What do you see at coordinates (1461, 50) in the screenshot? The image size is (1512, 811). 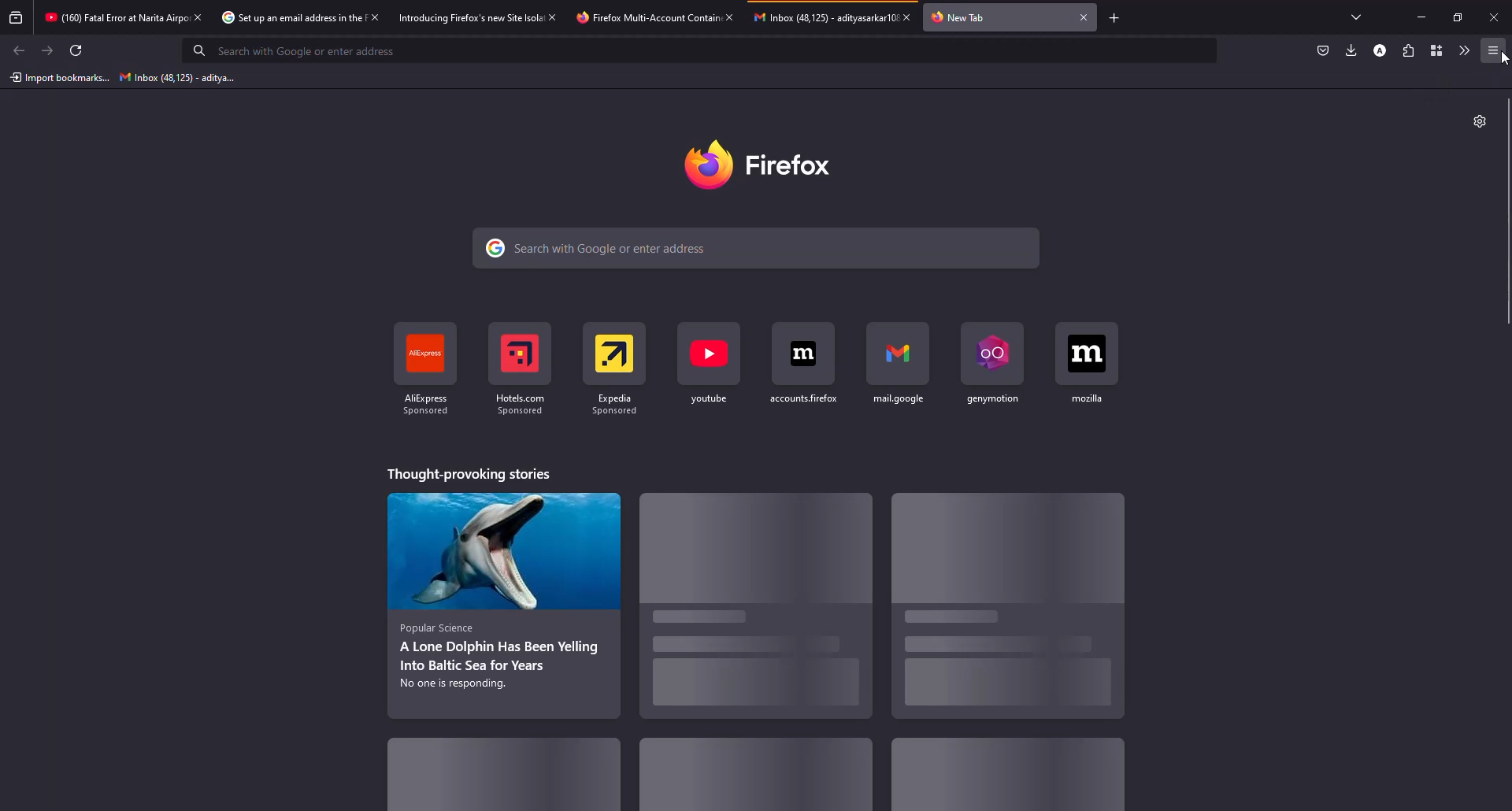 I see `more tools` at bounding box center [1461, 50].